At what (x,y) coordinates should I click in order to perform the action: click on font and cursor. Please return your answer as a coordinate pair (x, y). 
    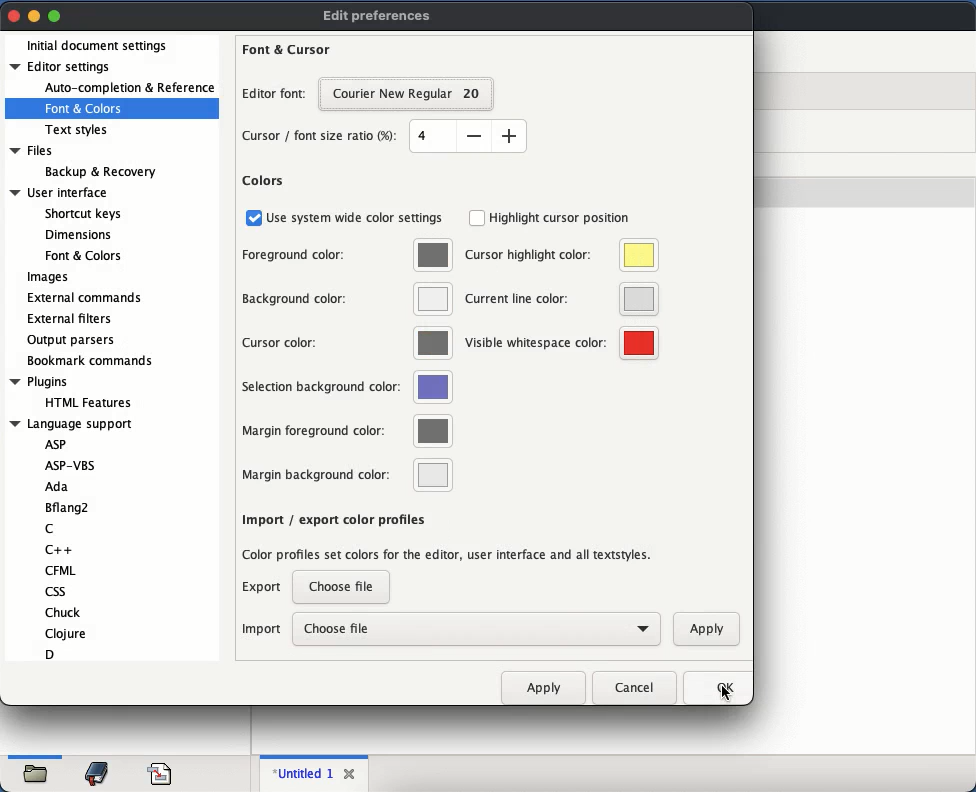
    Looking at the image, I should click on (286, 52).